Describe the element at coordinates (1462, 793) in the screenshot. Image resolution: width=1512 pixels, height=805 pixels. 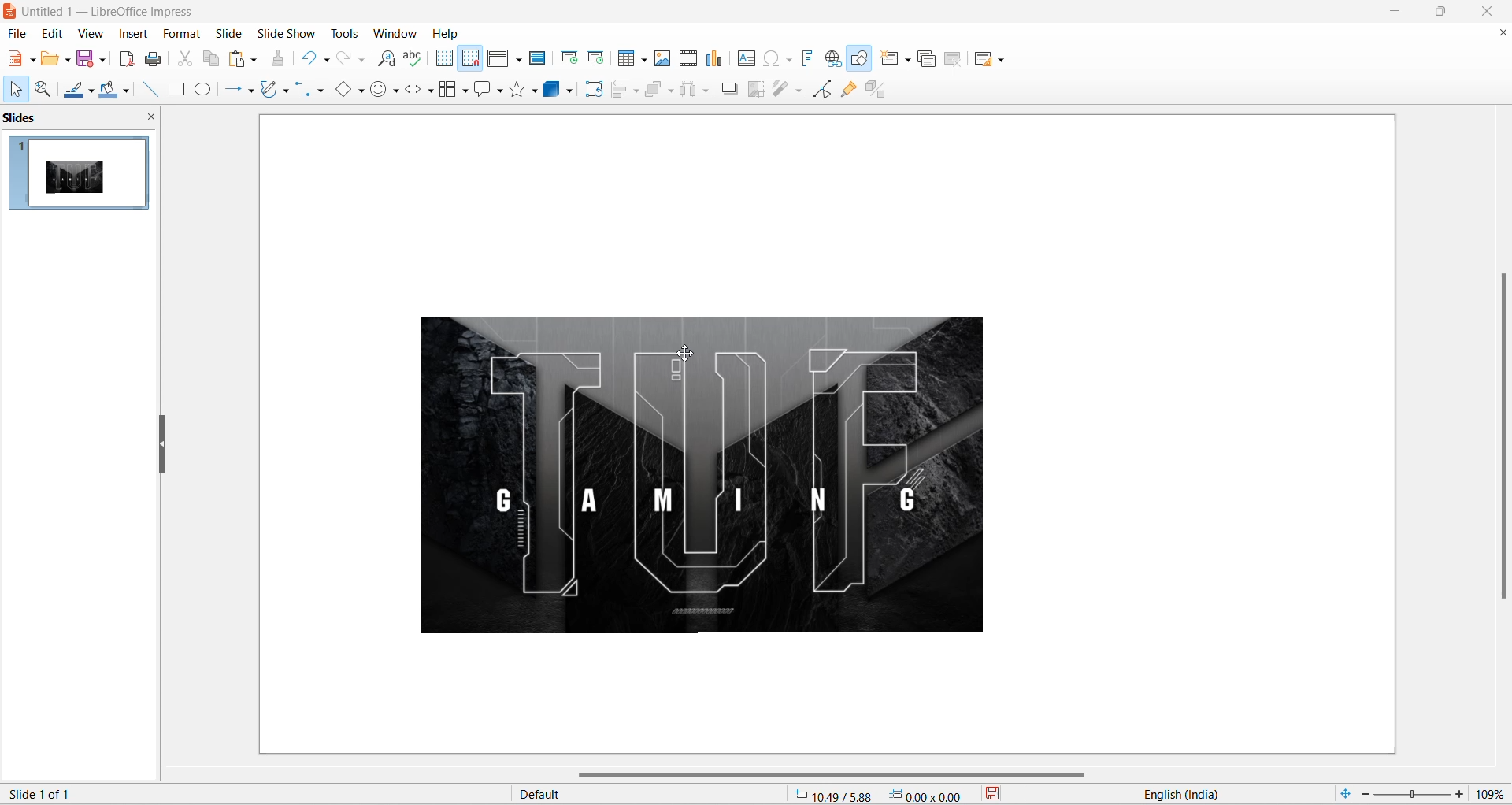
I see `zoom increase` at that location.